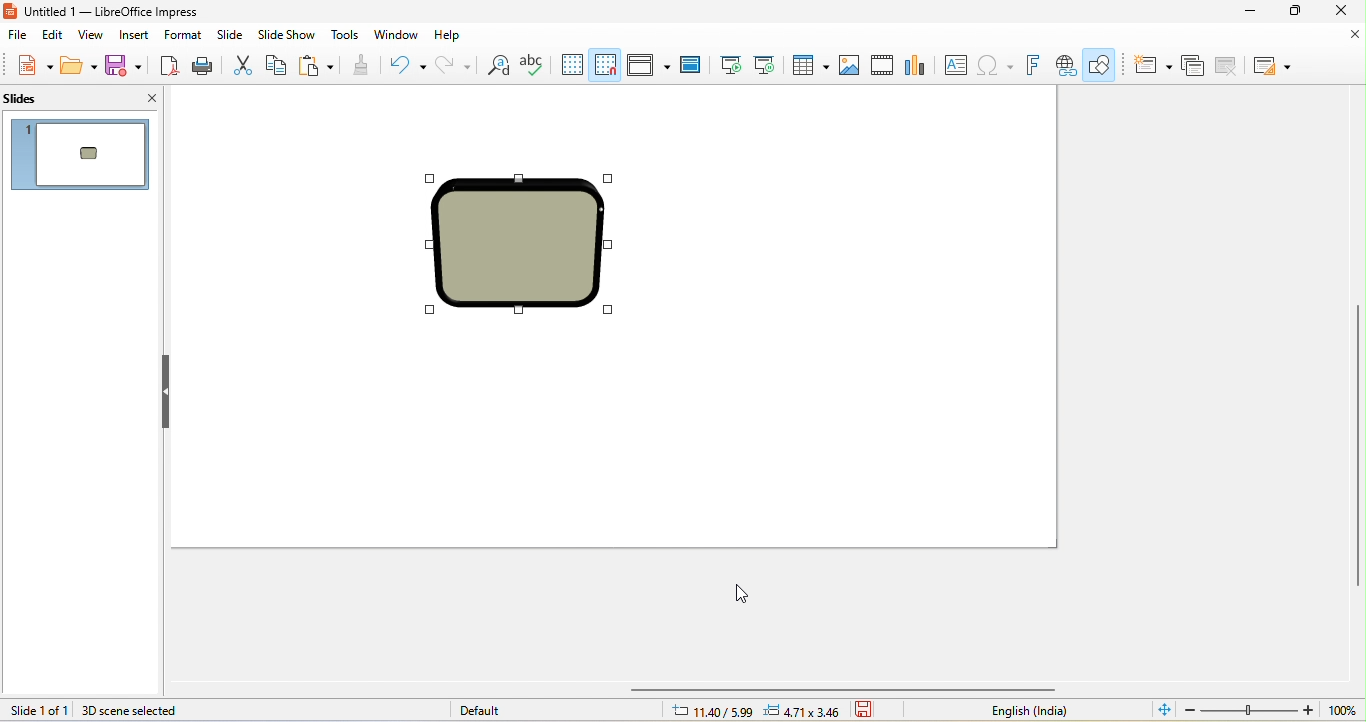 The image size is (1366, 722). What do you see at coordinates (806, 710) in the screenshot?
I see `4.71 x 3.46` at bounding box center [806, 710].